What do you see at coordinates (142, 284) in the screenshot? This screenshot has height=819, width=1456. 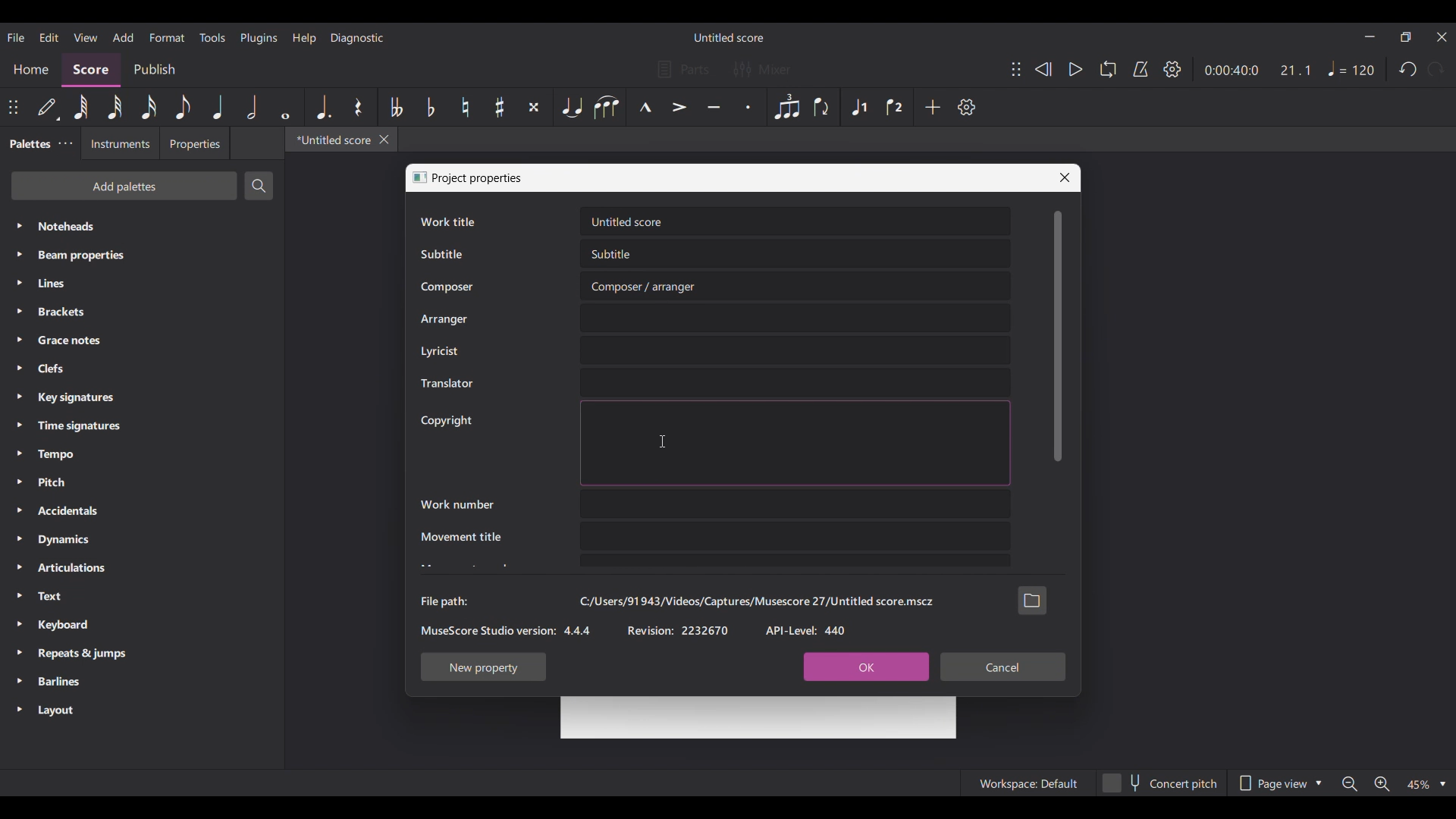 I see `Lines` at bounding box center [142, 284].